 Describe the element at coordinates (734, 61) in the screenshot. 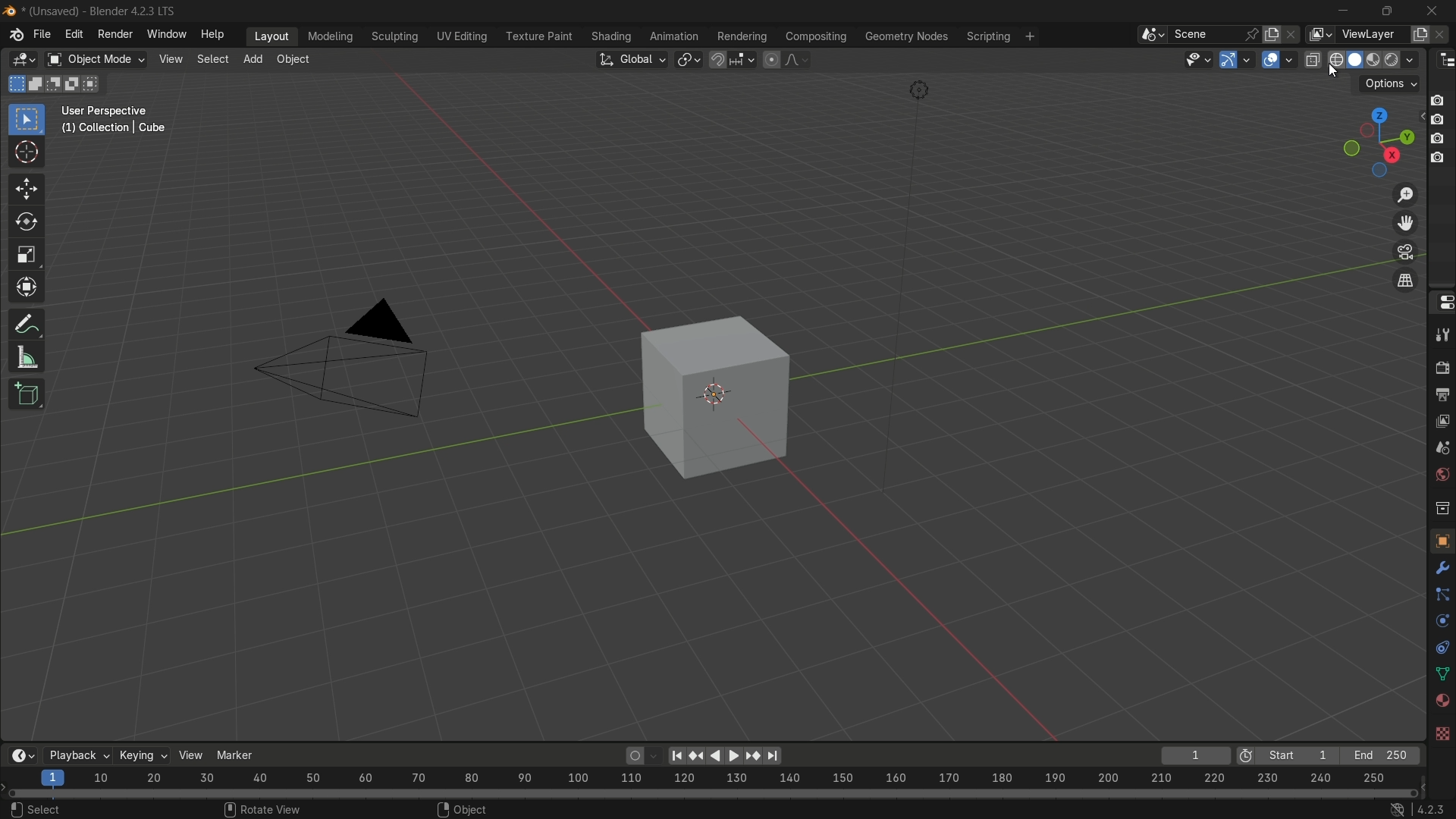

I see `snap` at that location.